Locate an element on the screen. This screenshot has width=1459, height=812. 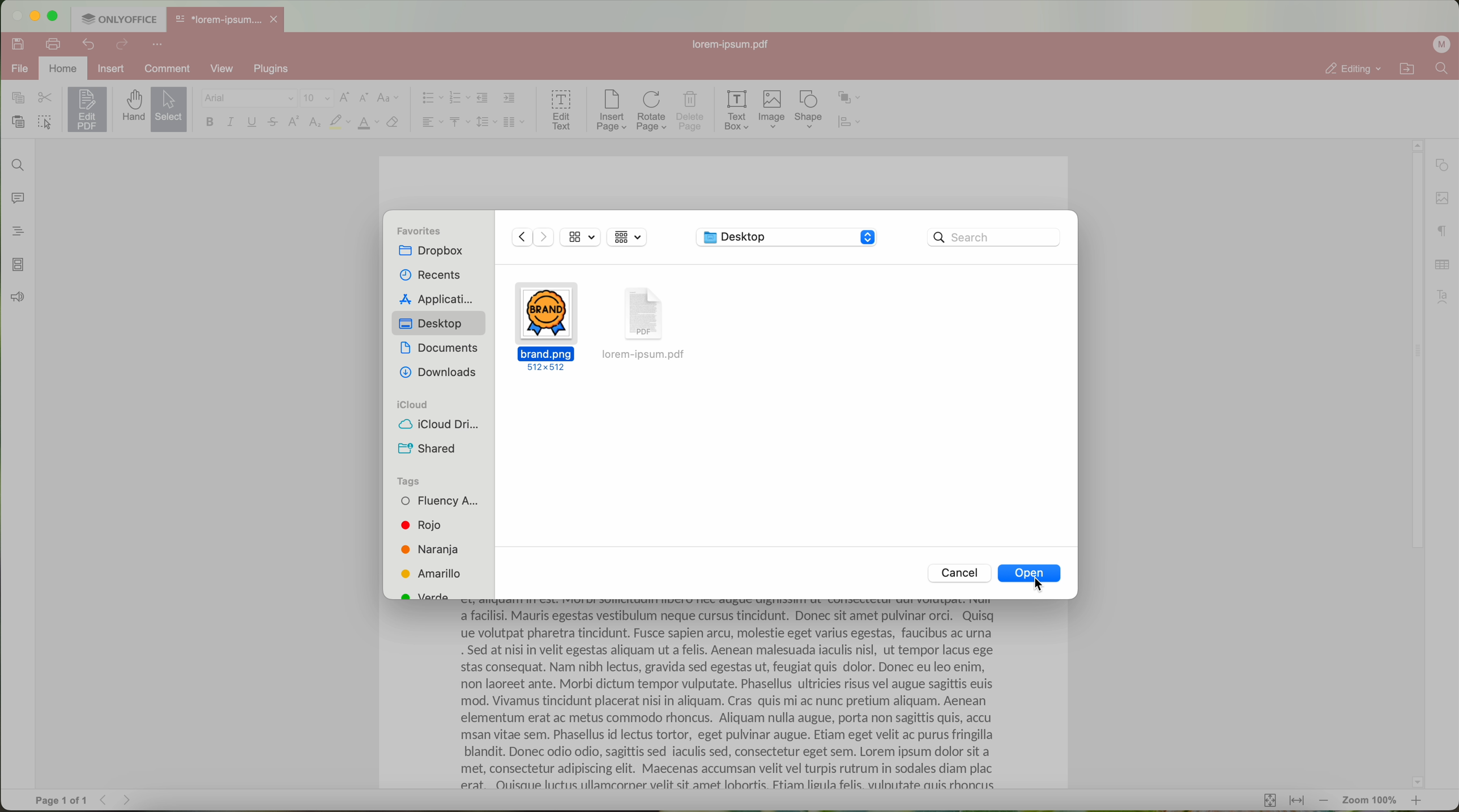
grid view is located at coordinates (629, 237).